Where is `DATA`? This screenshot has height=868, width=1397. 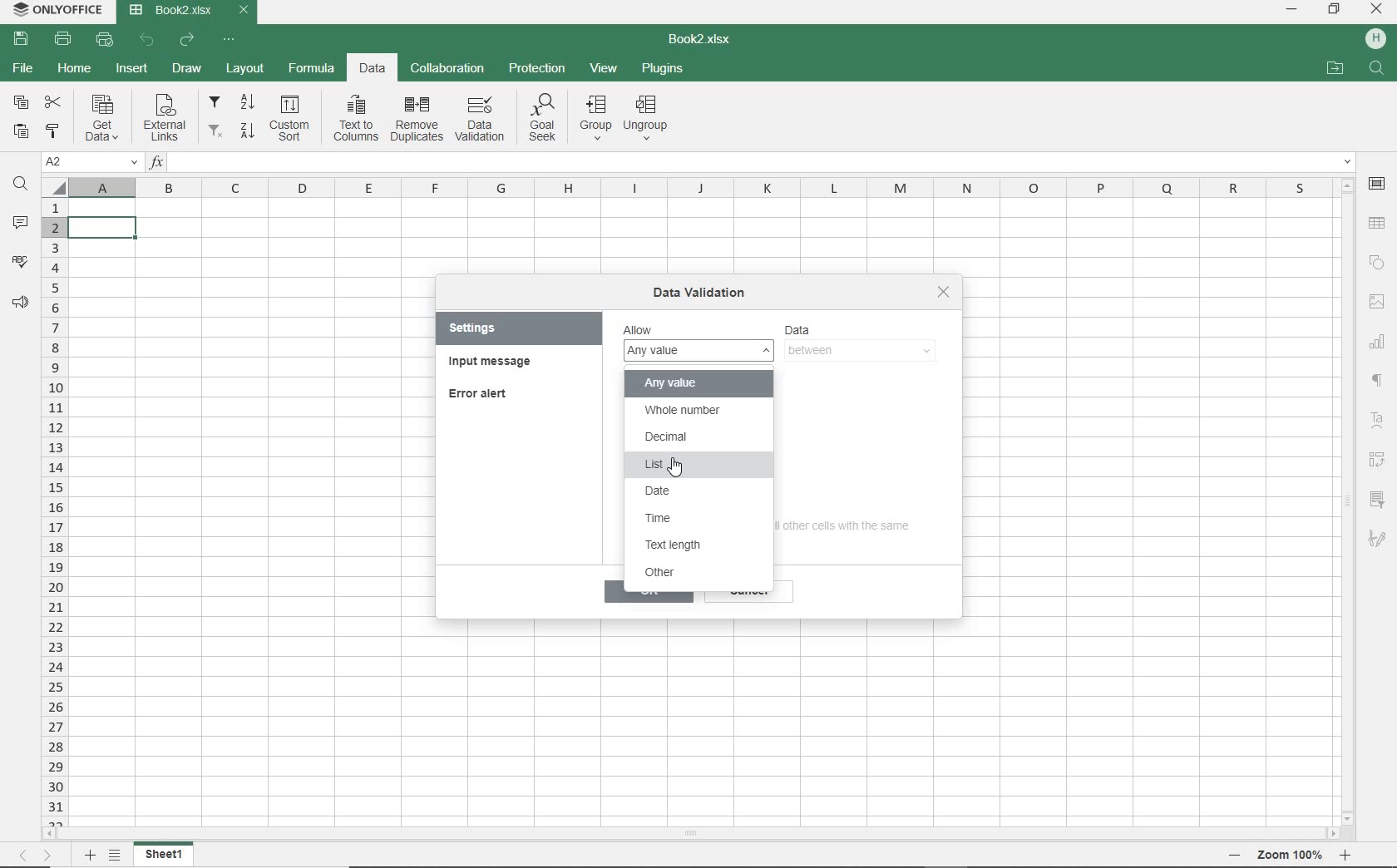 DATA is located at coordinates (368, 69).